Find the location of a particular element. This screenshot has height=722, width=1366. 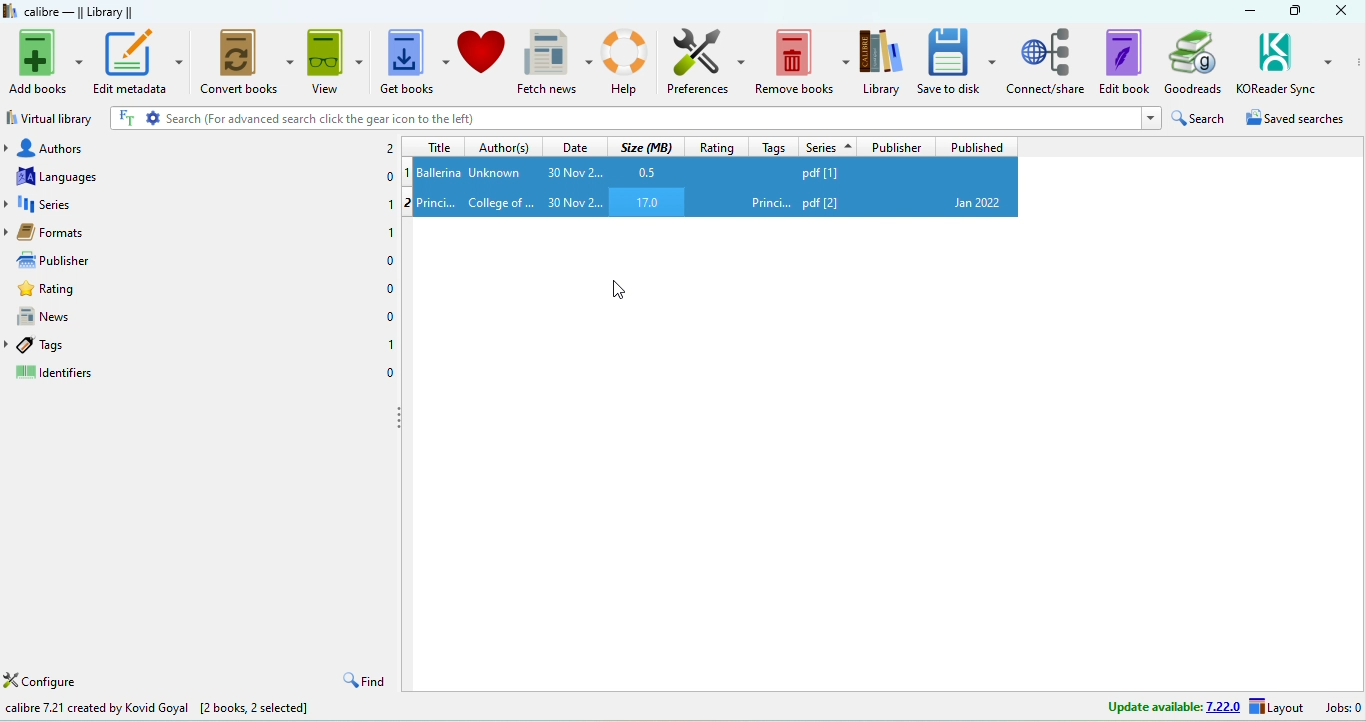

find is located at coordinates (362, 681).